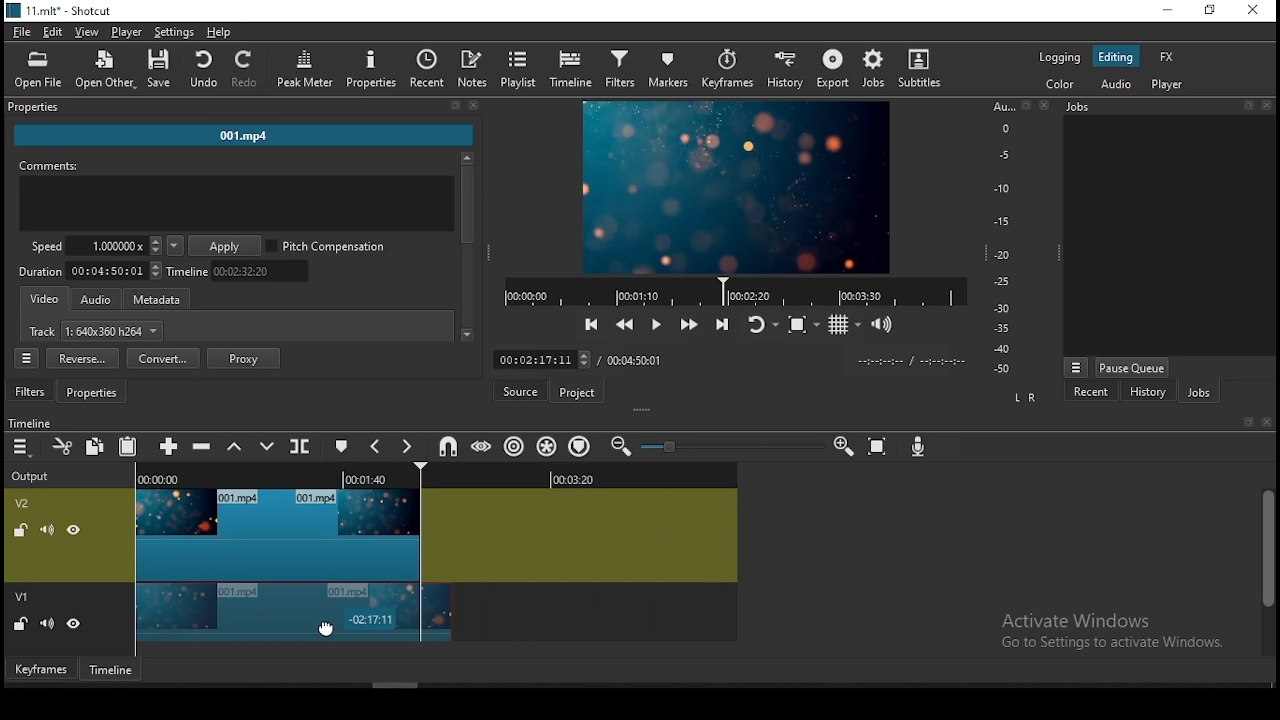 The width and height of the screenshot is (1280, 720). What do you see at coordinates (171, 448) in the screenshot?
I see `append` at bounding box center [171, 448].